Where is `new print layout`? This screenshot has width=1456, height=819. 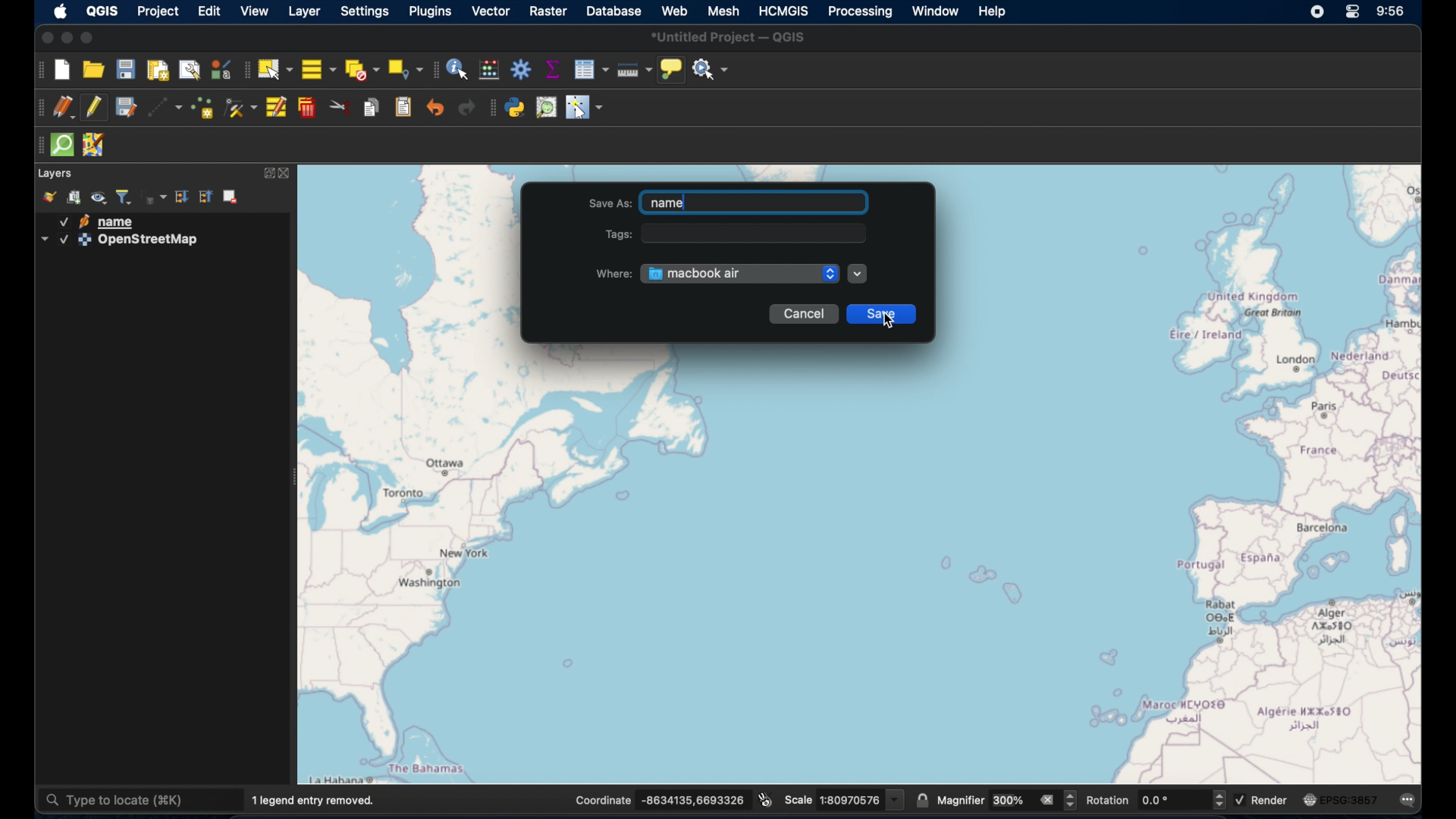
new print layout is located at coordinates (157, 71).